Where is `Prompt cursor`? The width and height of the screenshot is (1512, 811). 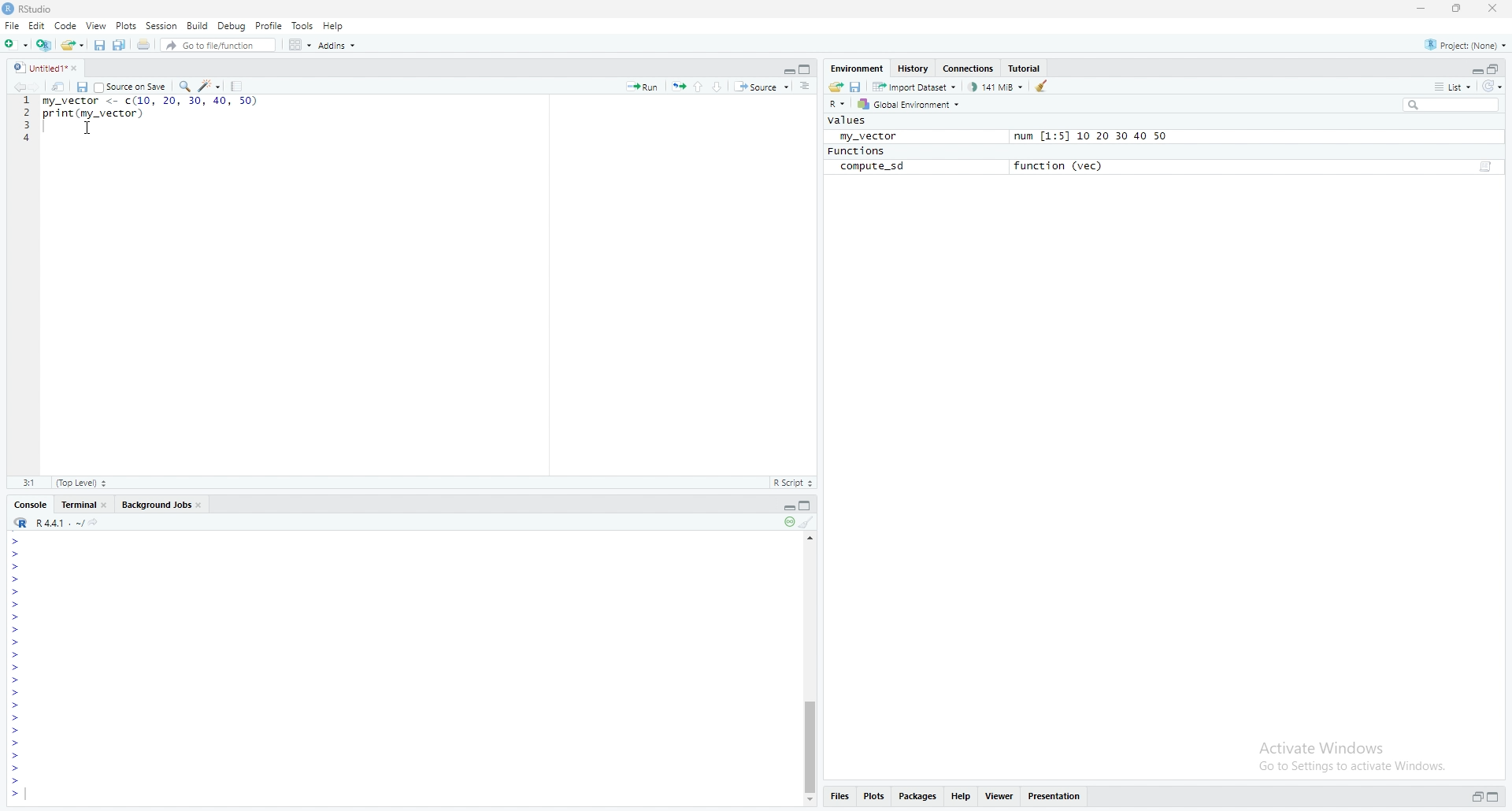
Prompt cursor is located at coordinates (16, 731).